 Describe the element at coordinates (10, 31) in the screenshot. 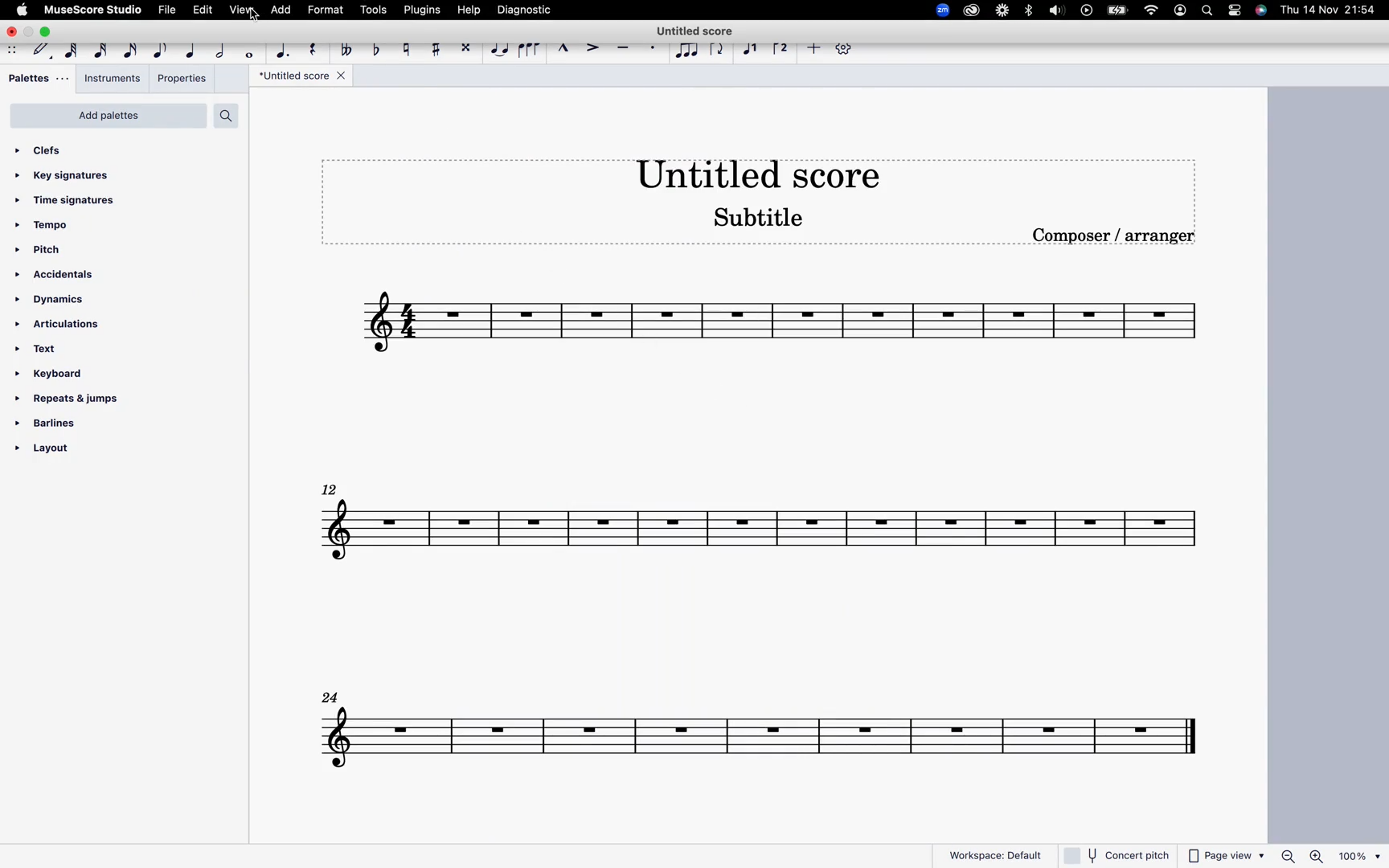

I see `close` at that location.